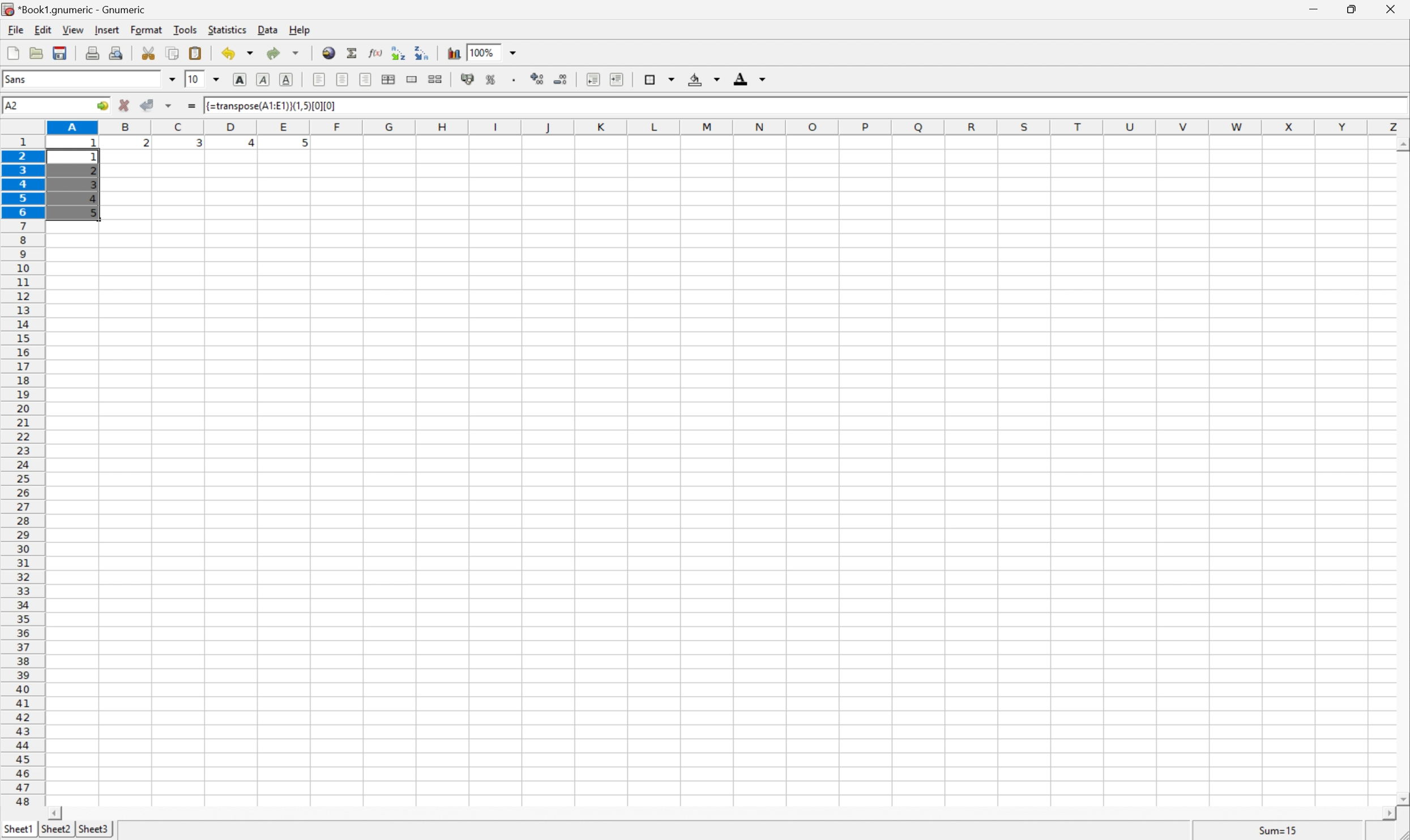 This screenshot has height=840, width=1410. Describe the element at coordinates (1401, 794) in the screenshot. I see `scroll down` at that location.